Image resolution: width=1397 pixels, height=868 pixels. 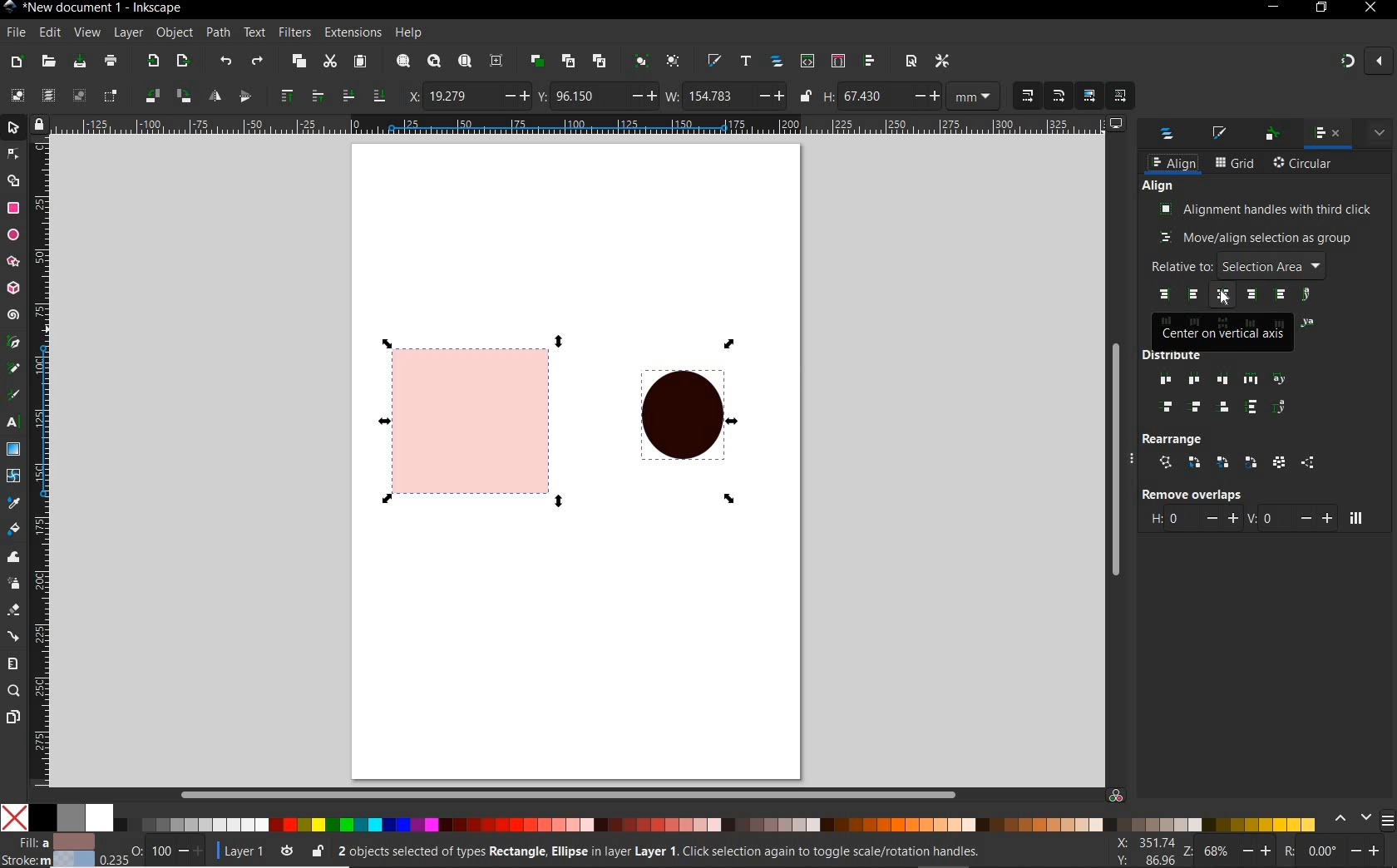 What do you see at coordinates (12, 718) in the screenshot?
I see `page tool` at bounding box center [12, 718].